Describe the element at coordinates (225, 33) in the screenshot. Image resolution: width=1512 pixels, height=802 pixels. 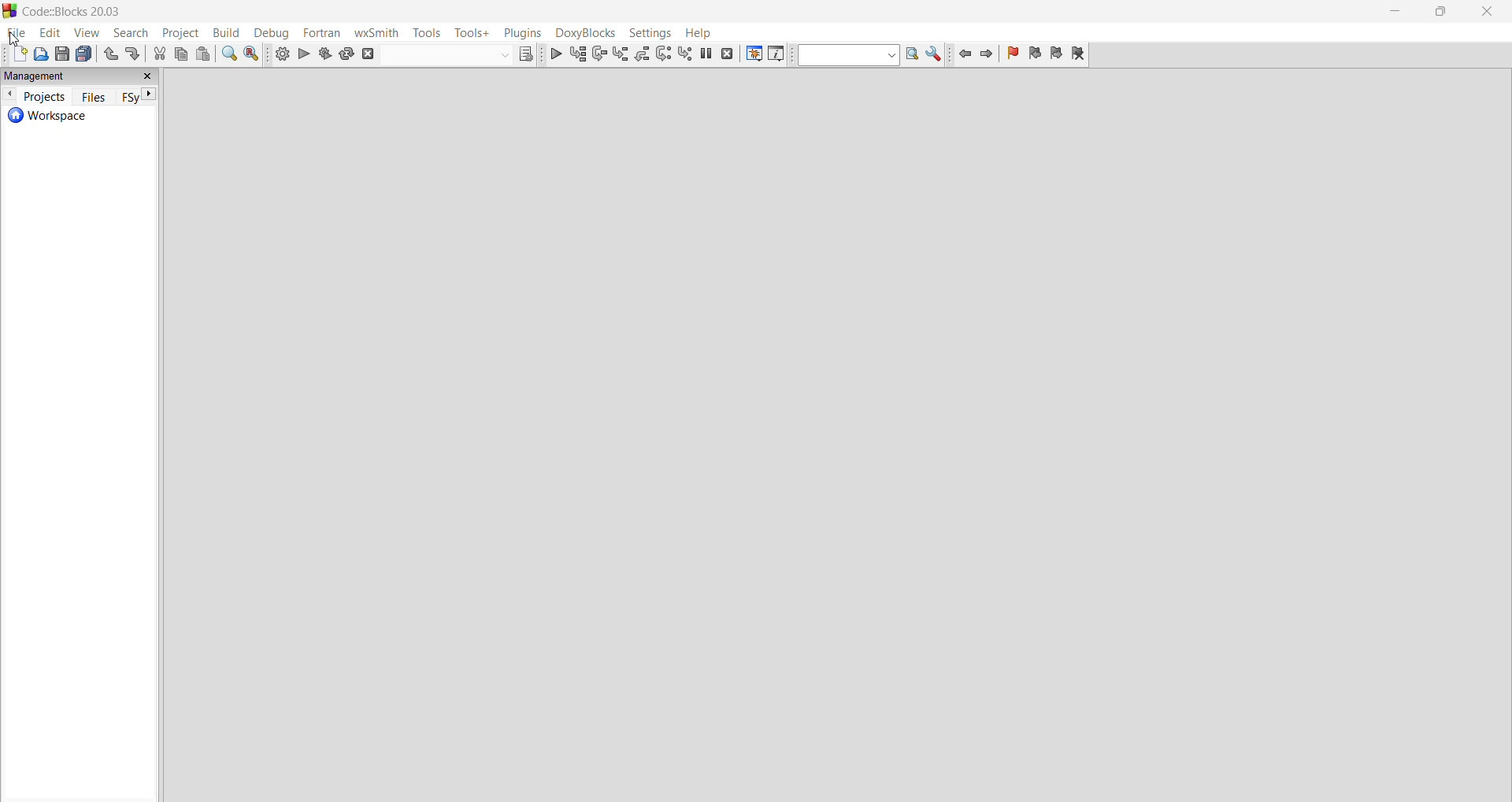
I see `build` at that location.